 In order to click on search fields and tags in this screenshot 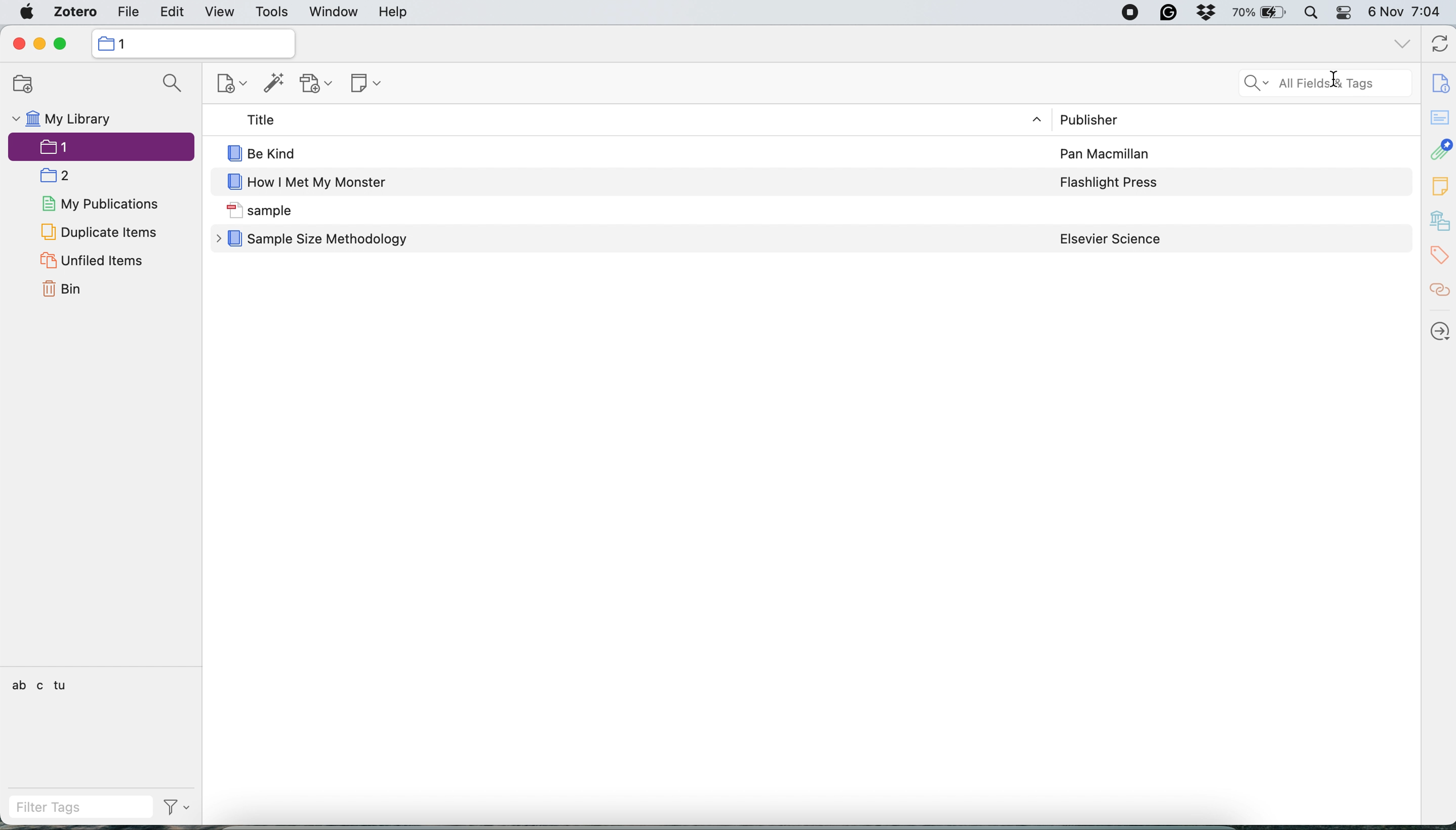, I will do `click(1316, 81)`.